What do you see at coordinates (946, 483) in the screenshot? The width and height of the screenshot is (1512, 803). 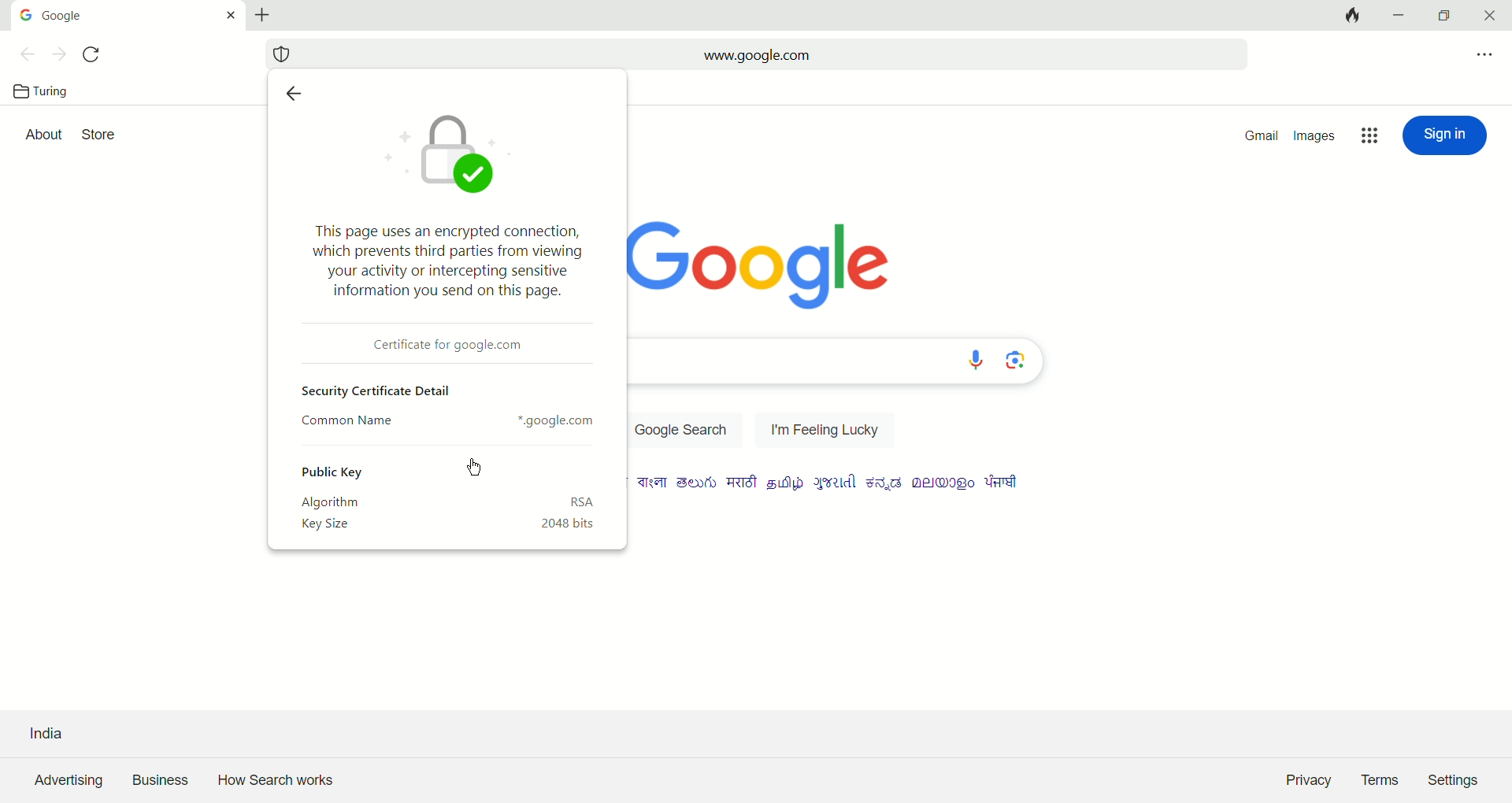 I see `language` at bounding box center [946, 483].